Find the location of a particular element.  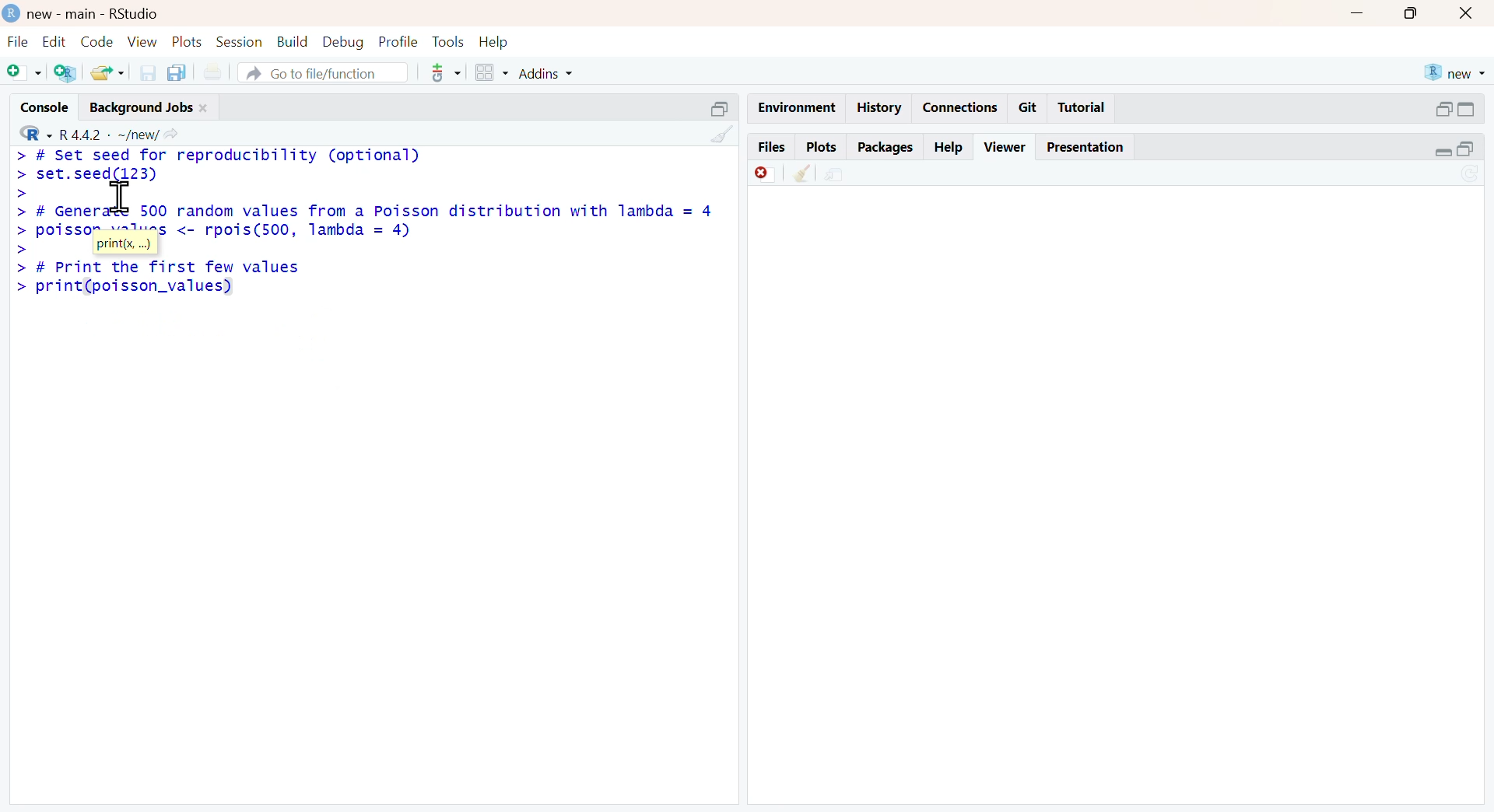

clean is located at coordinates (801, 174).